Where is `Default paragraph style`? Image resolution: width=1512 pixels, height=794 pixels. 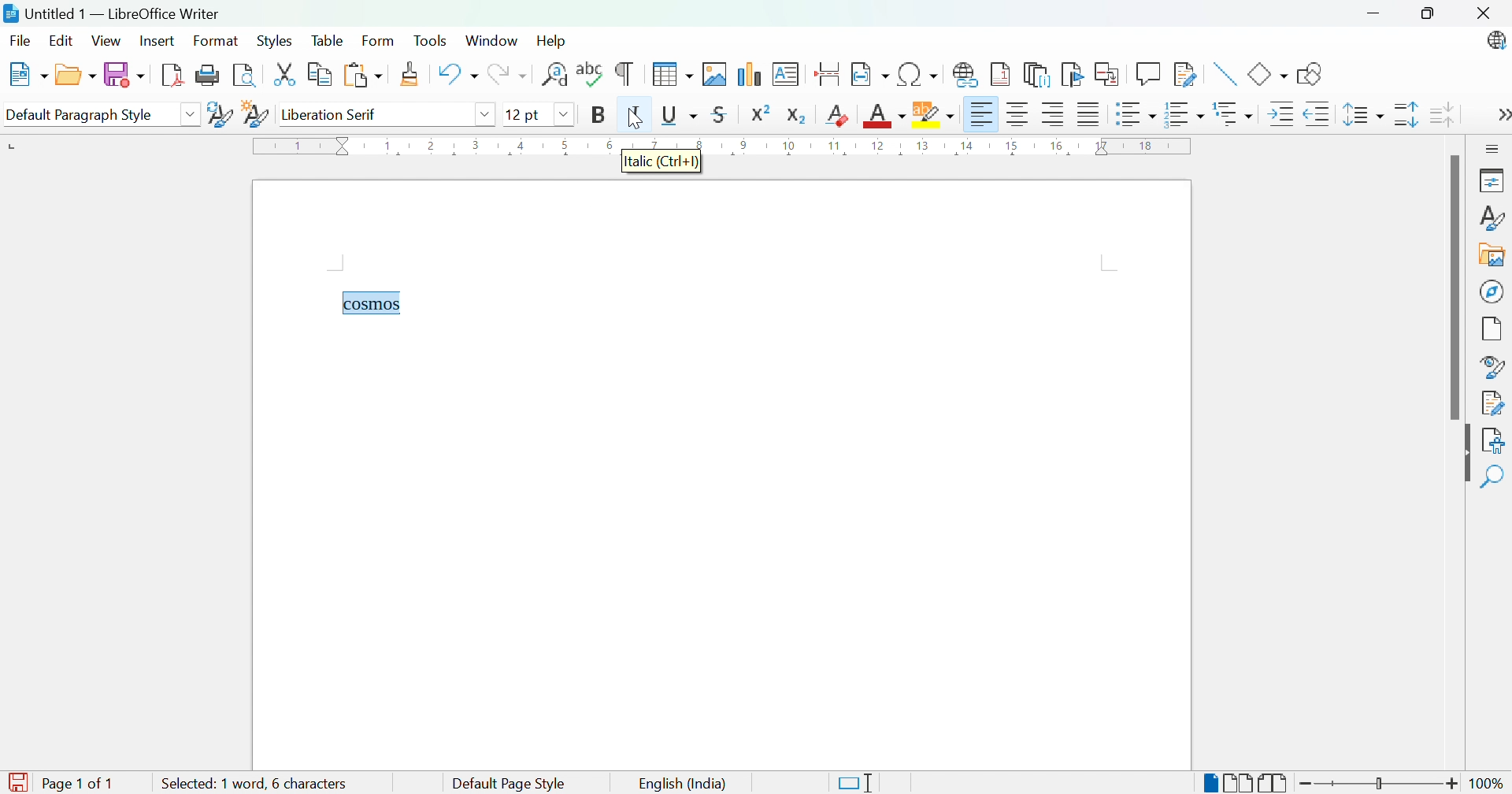
Default paragraph style is located at coordinates (80, 113).